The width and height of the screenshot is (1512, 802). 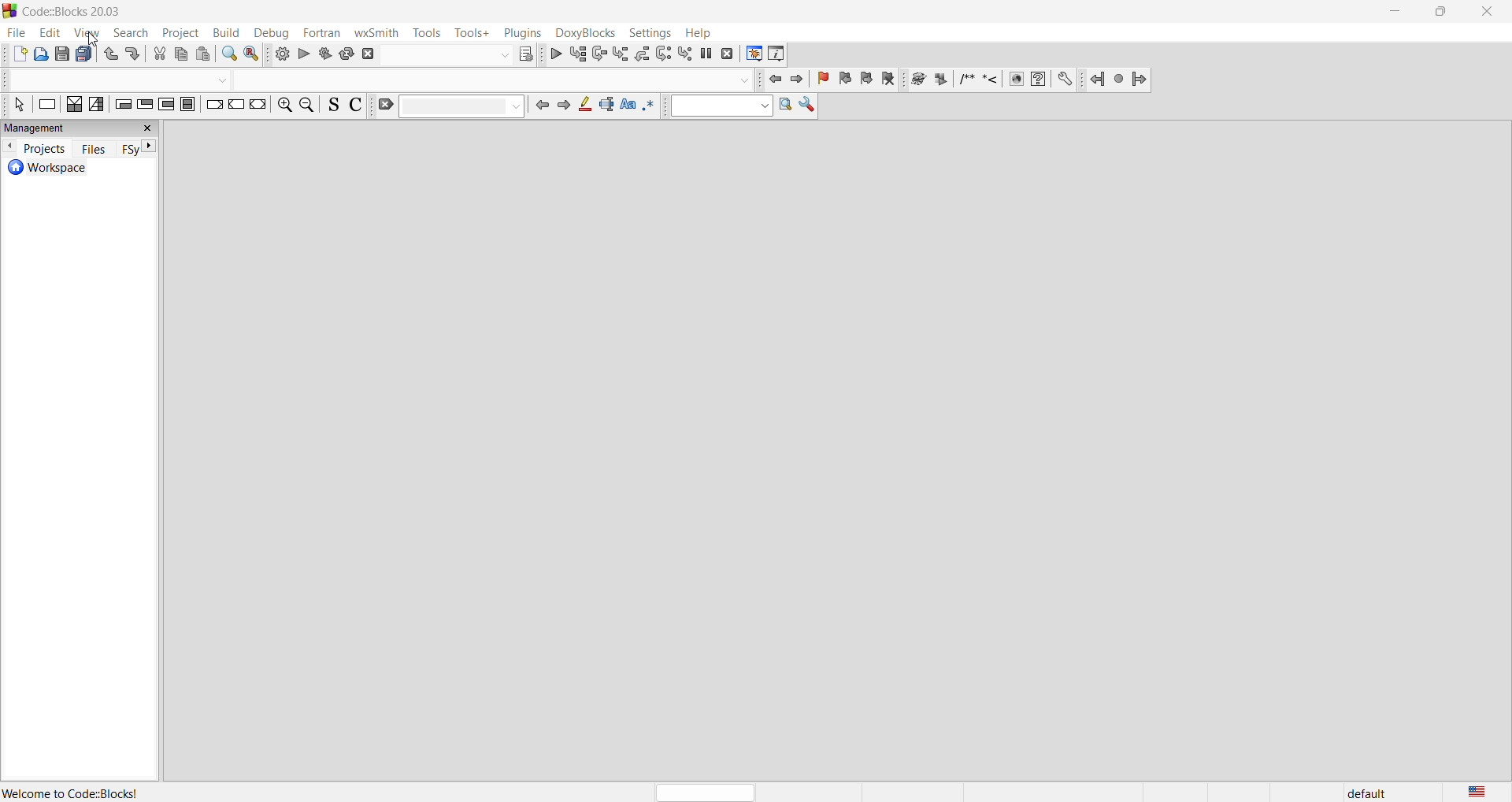 What do you see at coordinates (89, 41) in the screenshot?
I see `Cursor` at bounding box center [89, 41].